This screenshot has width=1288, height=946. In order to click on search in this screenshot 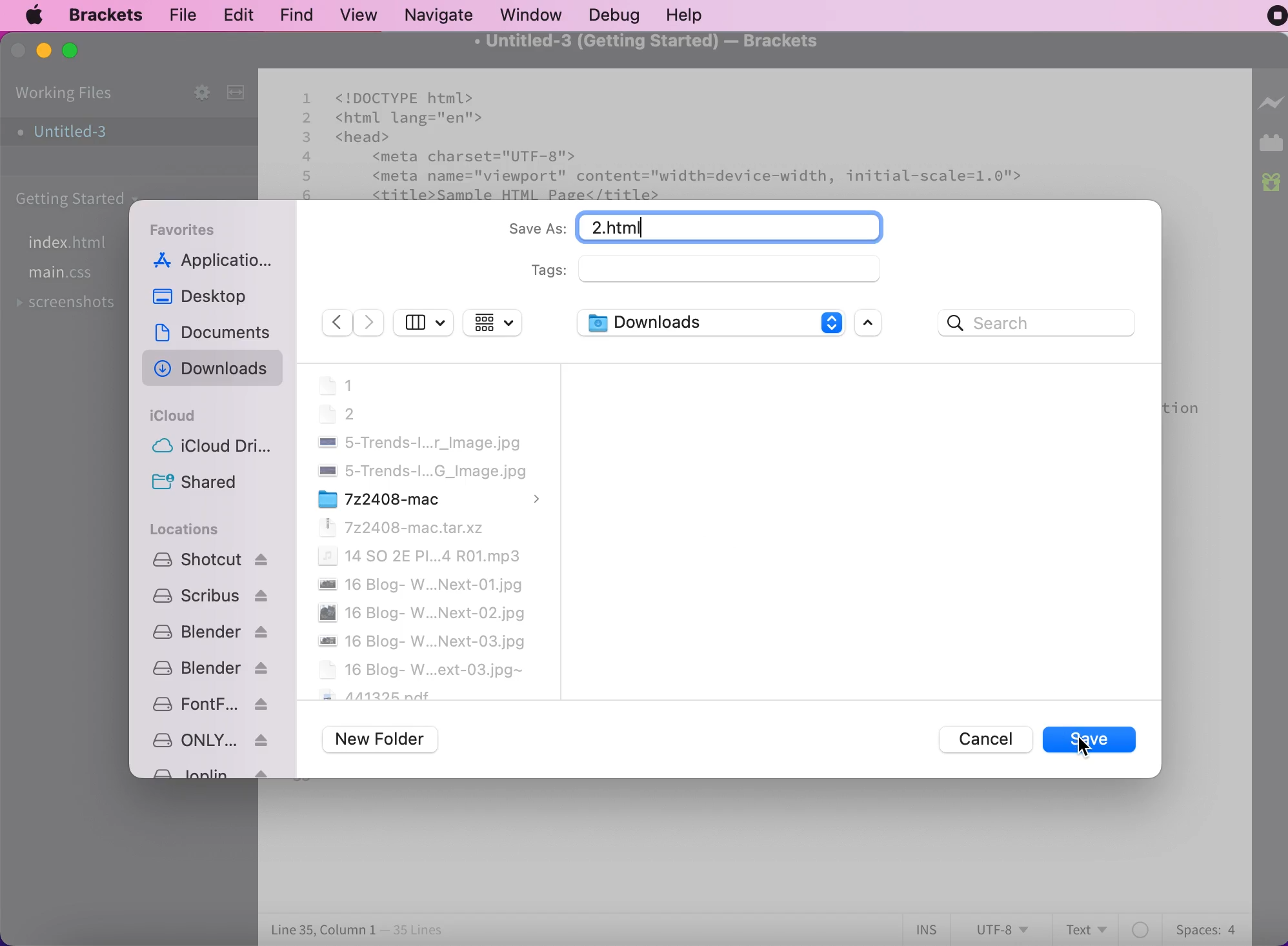, I will do `click(1038, 325)`.